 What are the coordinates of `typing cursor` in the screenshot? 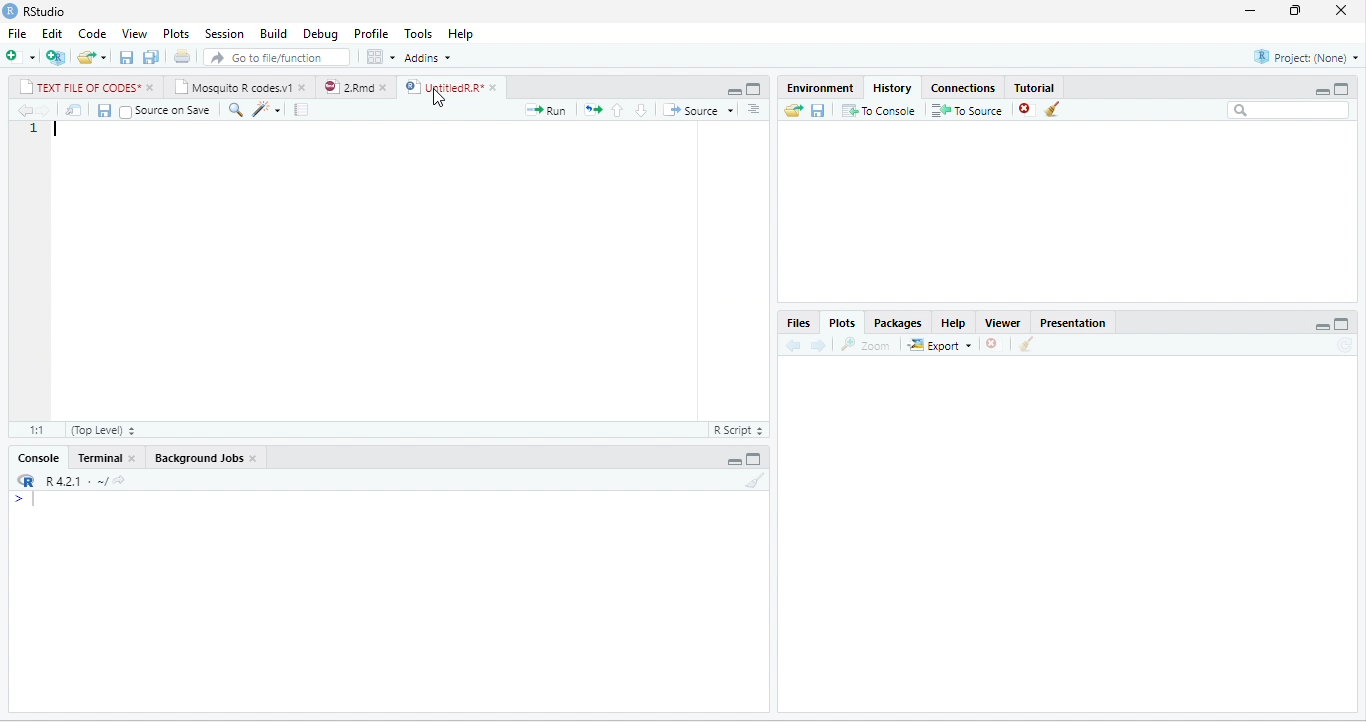 It's located at (56, 129).